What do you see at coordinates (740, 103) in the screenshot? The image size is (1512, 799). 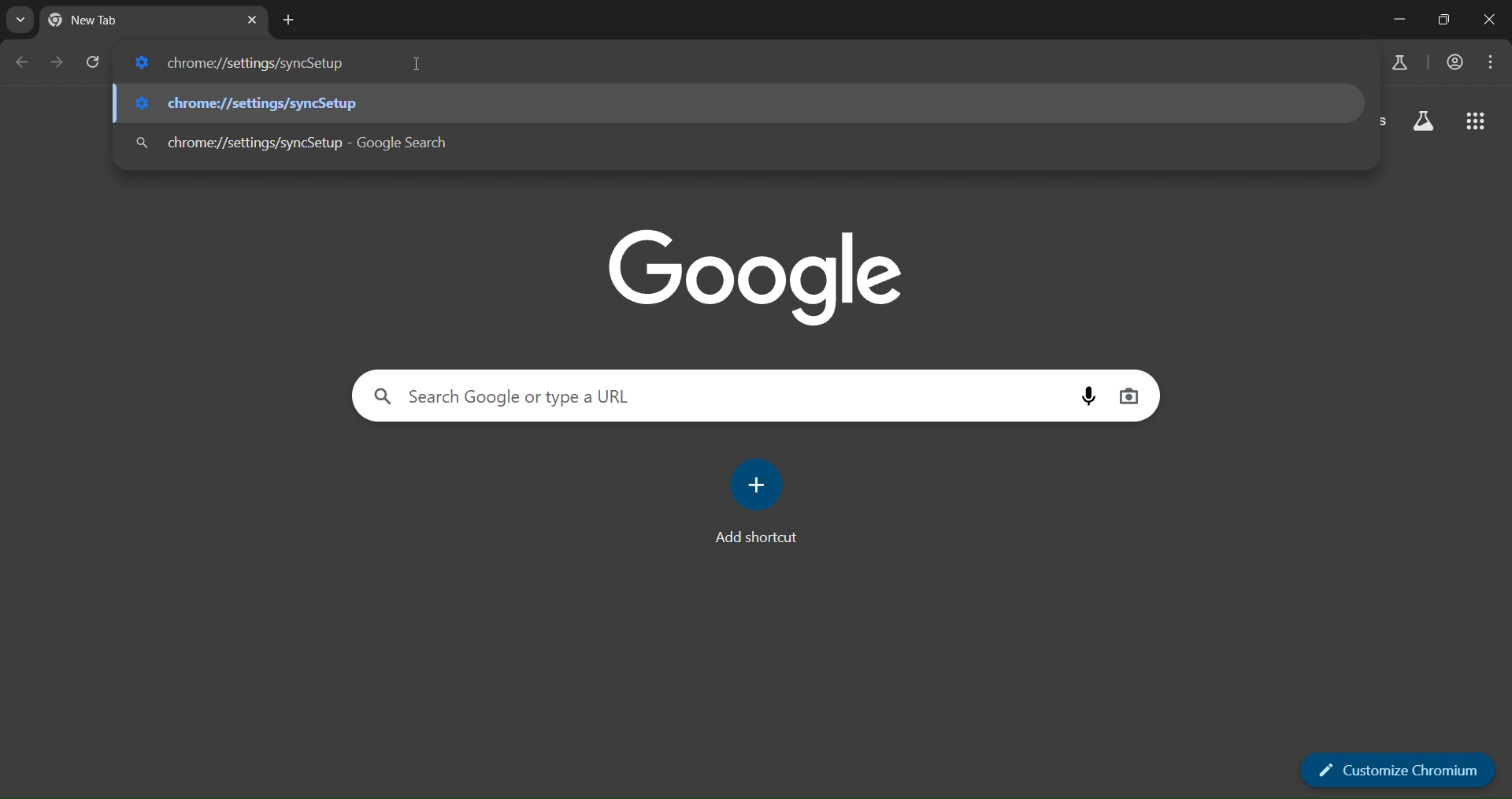 I see `chrome://setting/syncSetup` at bounding box center [740, 103].